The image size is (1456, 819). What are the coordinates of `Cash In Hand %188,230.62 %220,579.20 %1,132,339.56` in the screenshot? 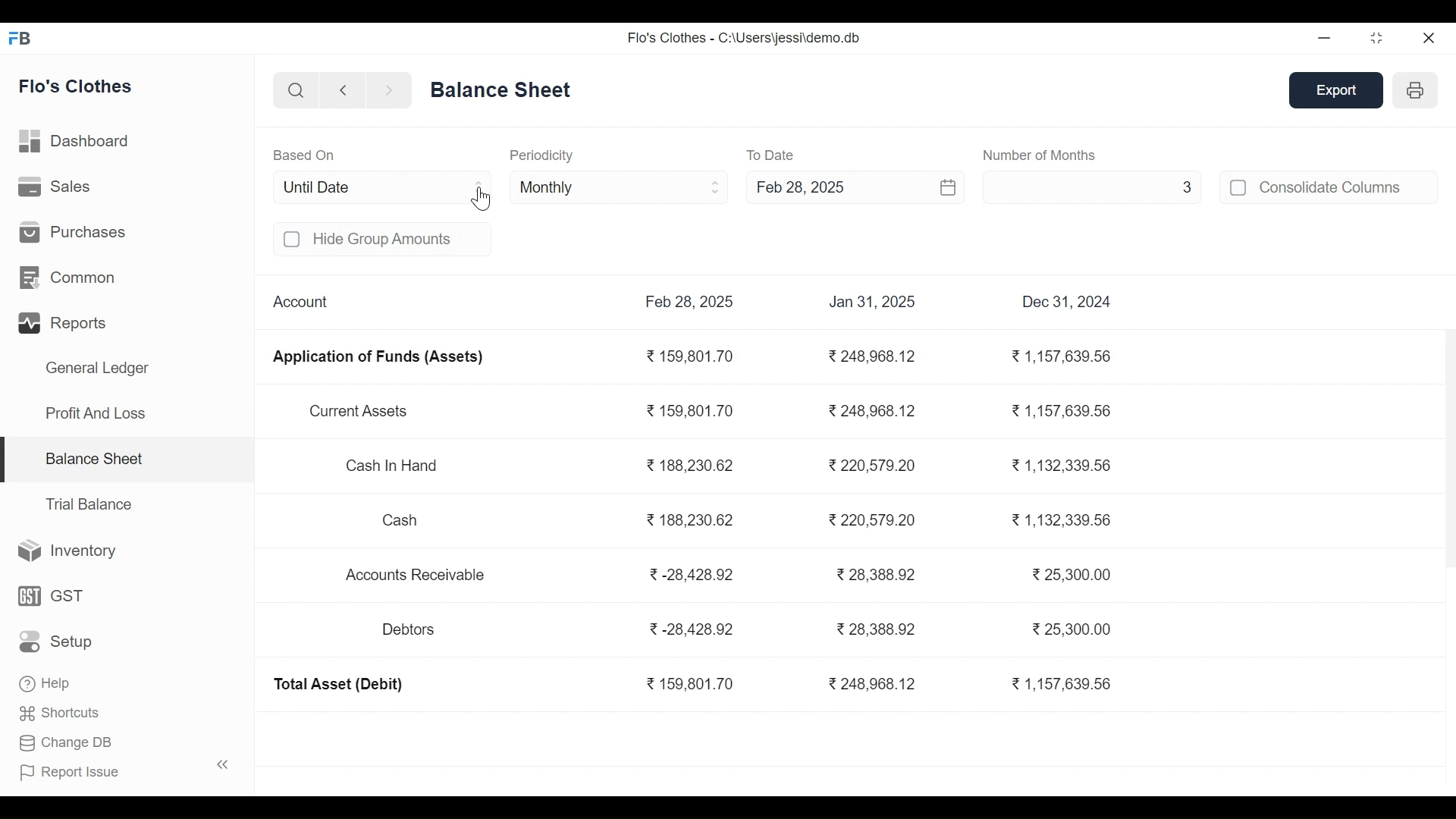 It's located at (732, 467).